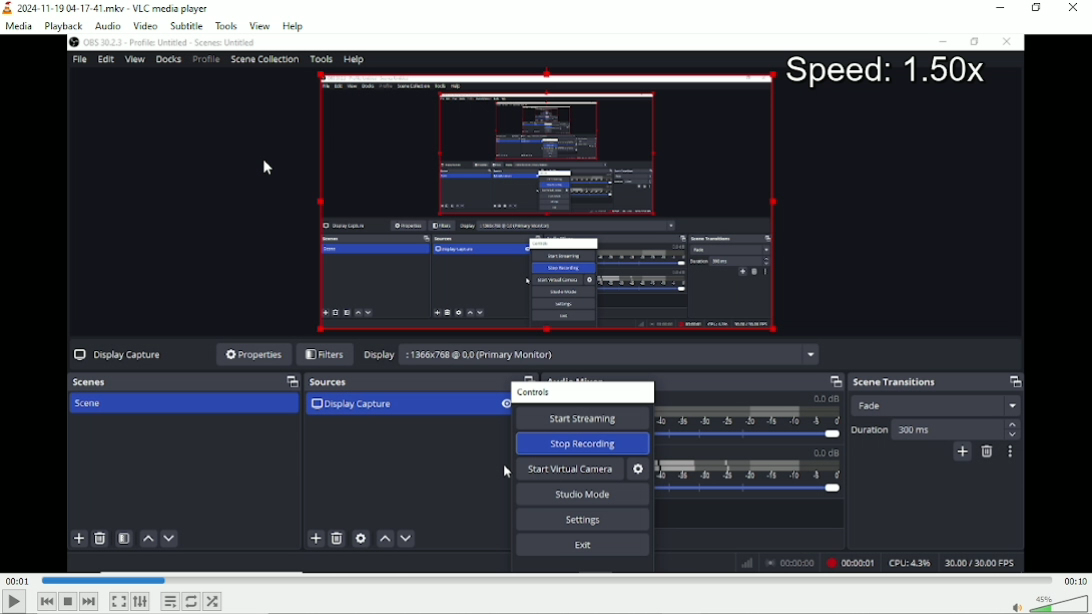 Image resolution: width=1092 pixels, height=614 pixels. Describe the element at coordinates (47, 601) in the screenshot. I see `Previous` at that location.